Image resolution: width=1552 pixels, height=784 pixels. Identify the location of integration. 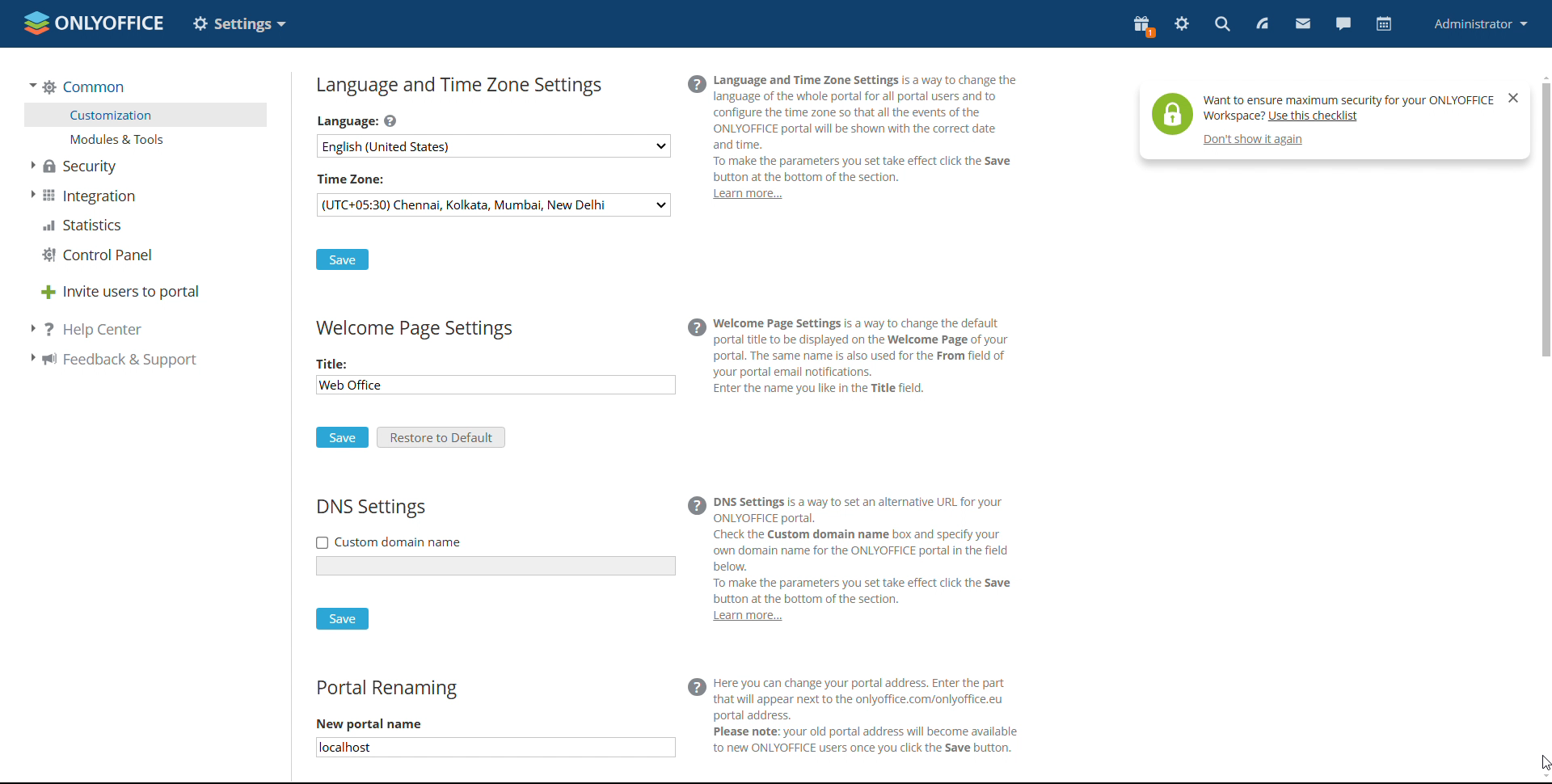
(82, 196).